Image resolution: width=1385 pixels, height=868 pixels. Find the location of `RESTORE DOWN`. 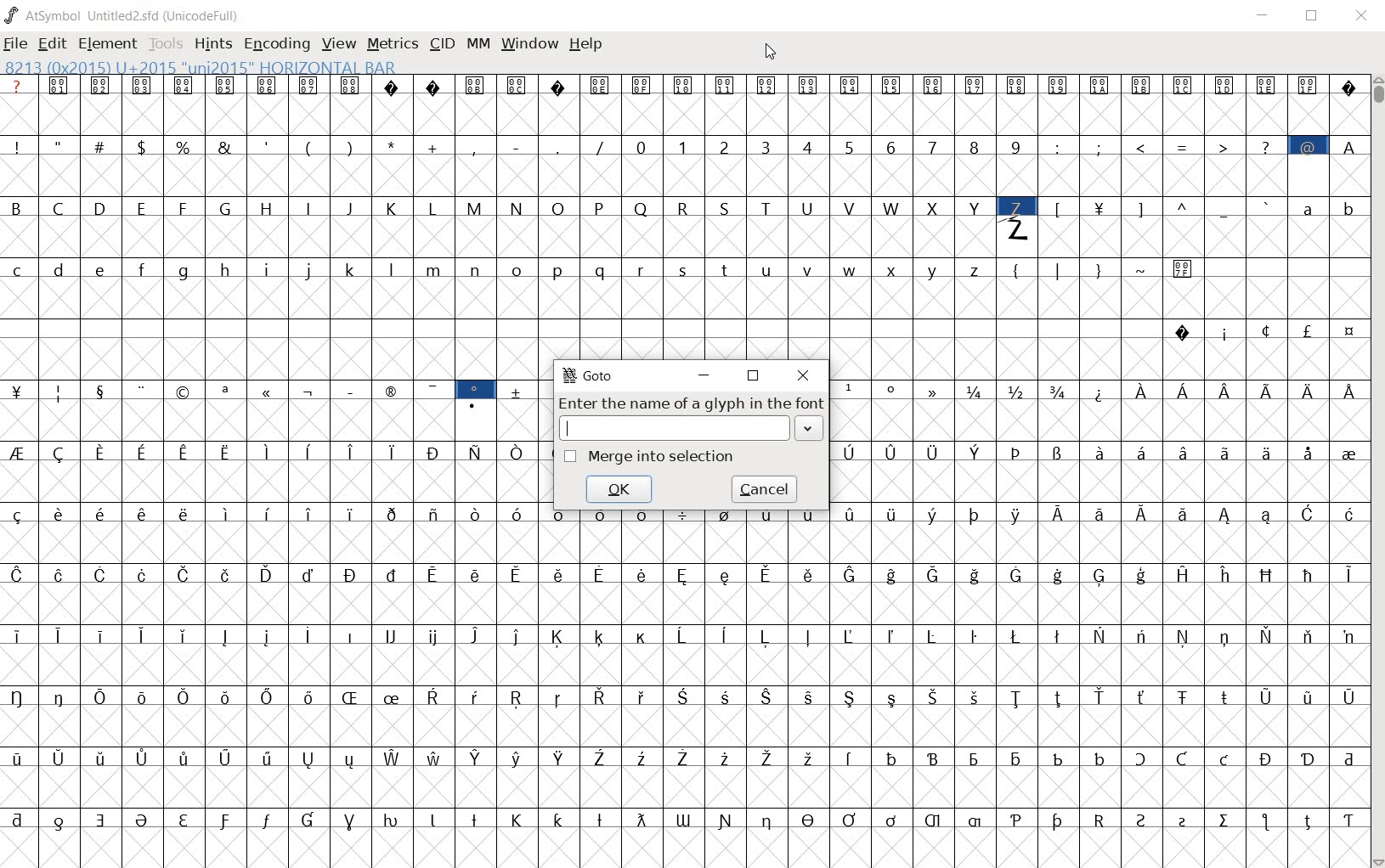

RESTORE DOWN is located at coordinates (755, 378).